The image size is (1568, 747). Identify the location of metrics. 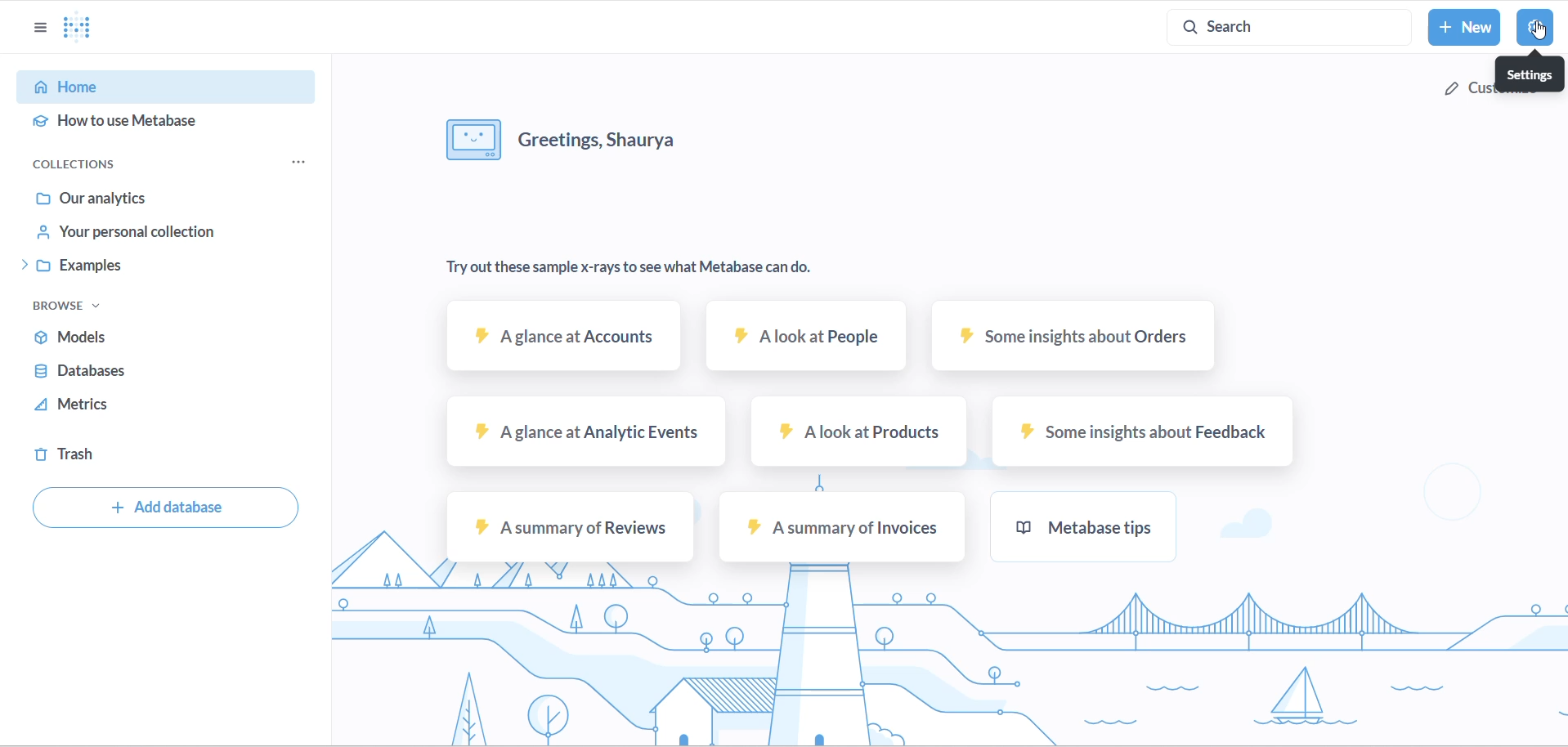
(106, 408).